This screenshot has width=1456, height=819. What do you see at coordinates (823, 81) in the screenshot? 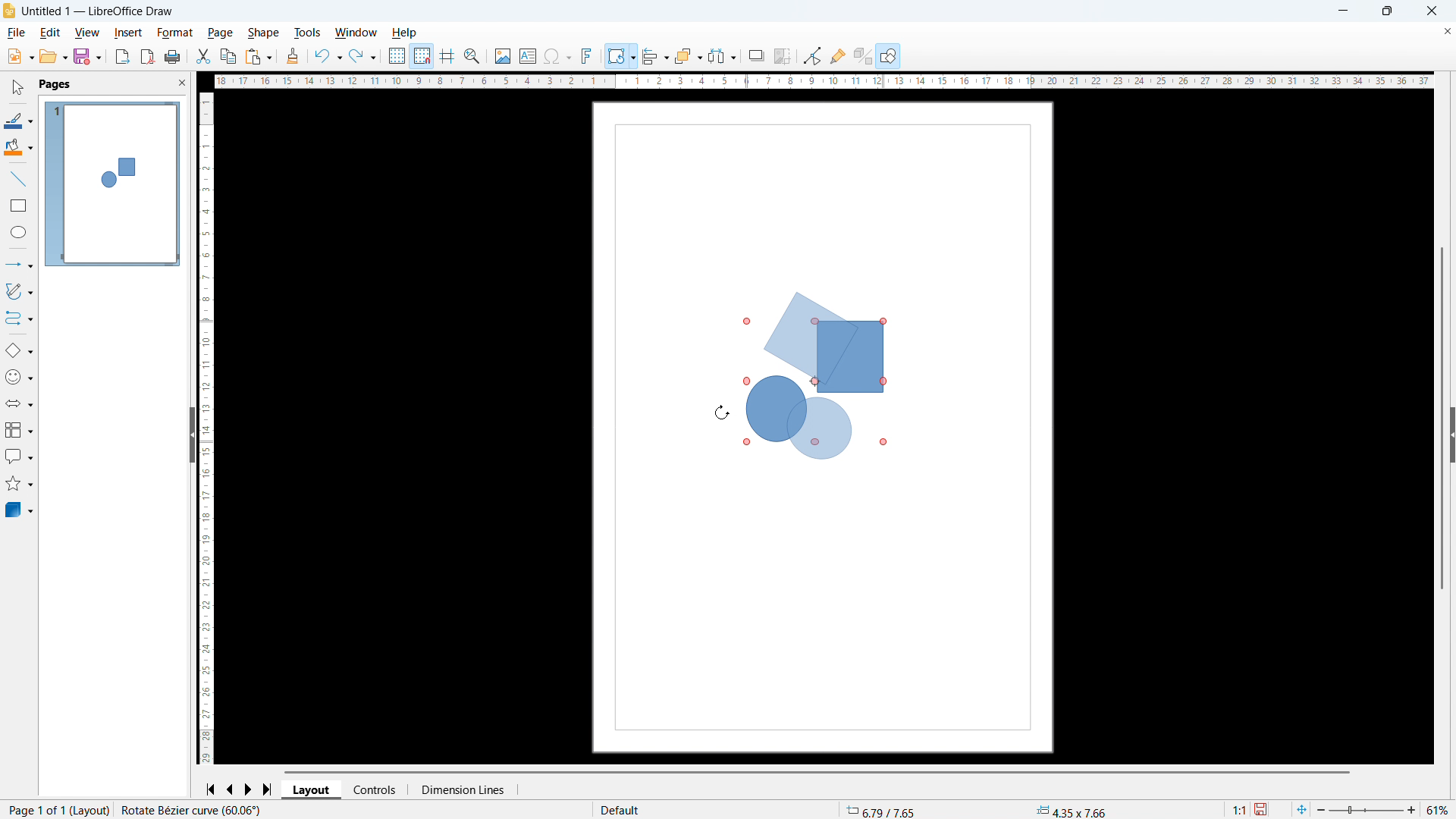
I see `Horizontal ruler ` at bounding box center [823, 81].